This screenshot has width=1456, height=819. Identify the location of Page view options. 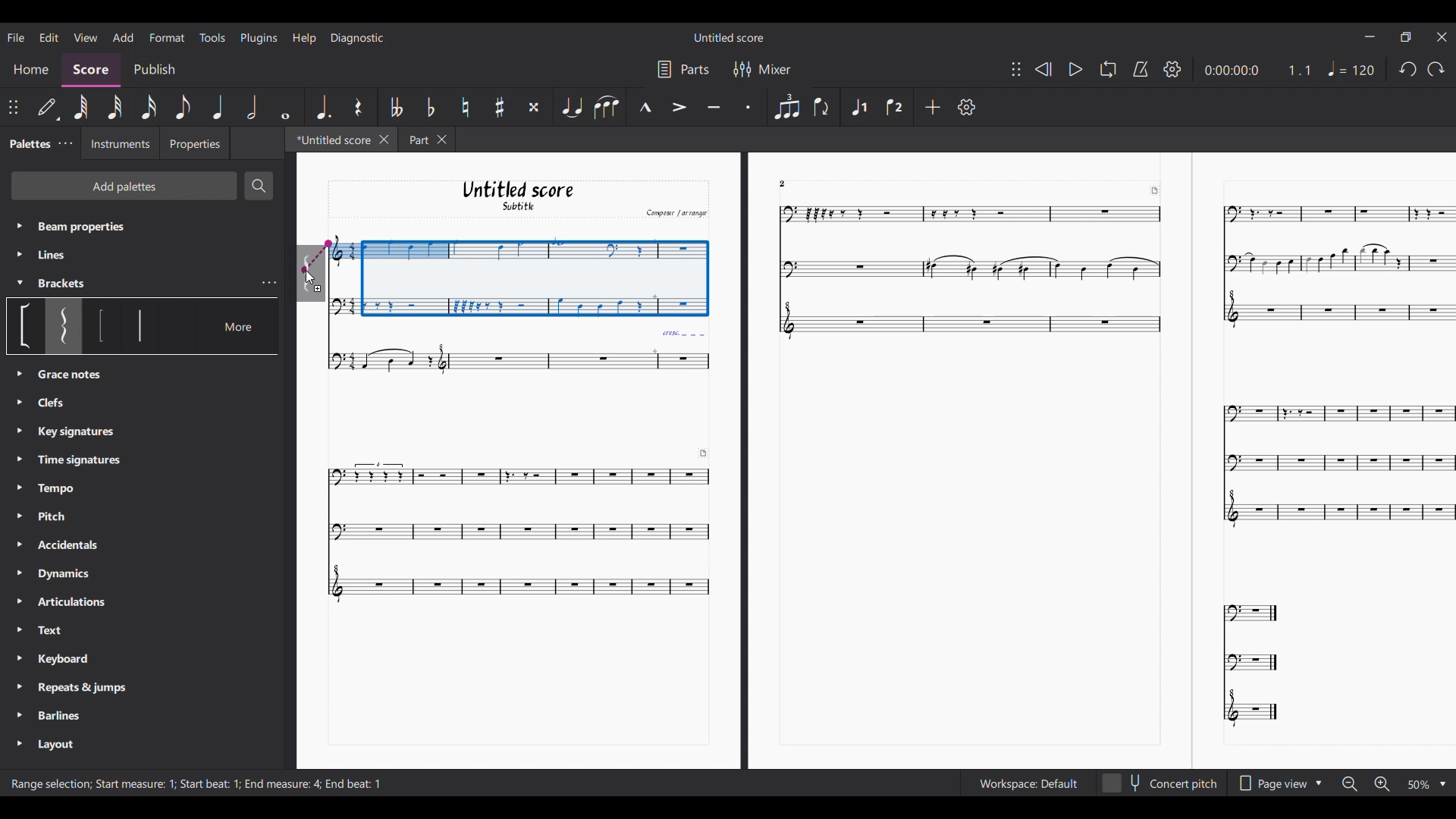
(1269, 783).